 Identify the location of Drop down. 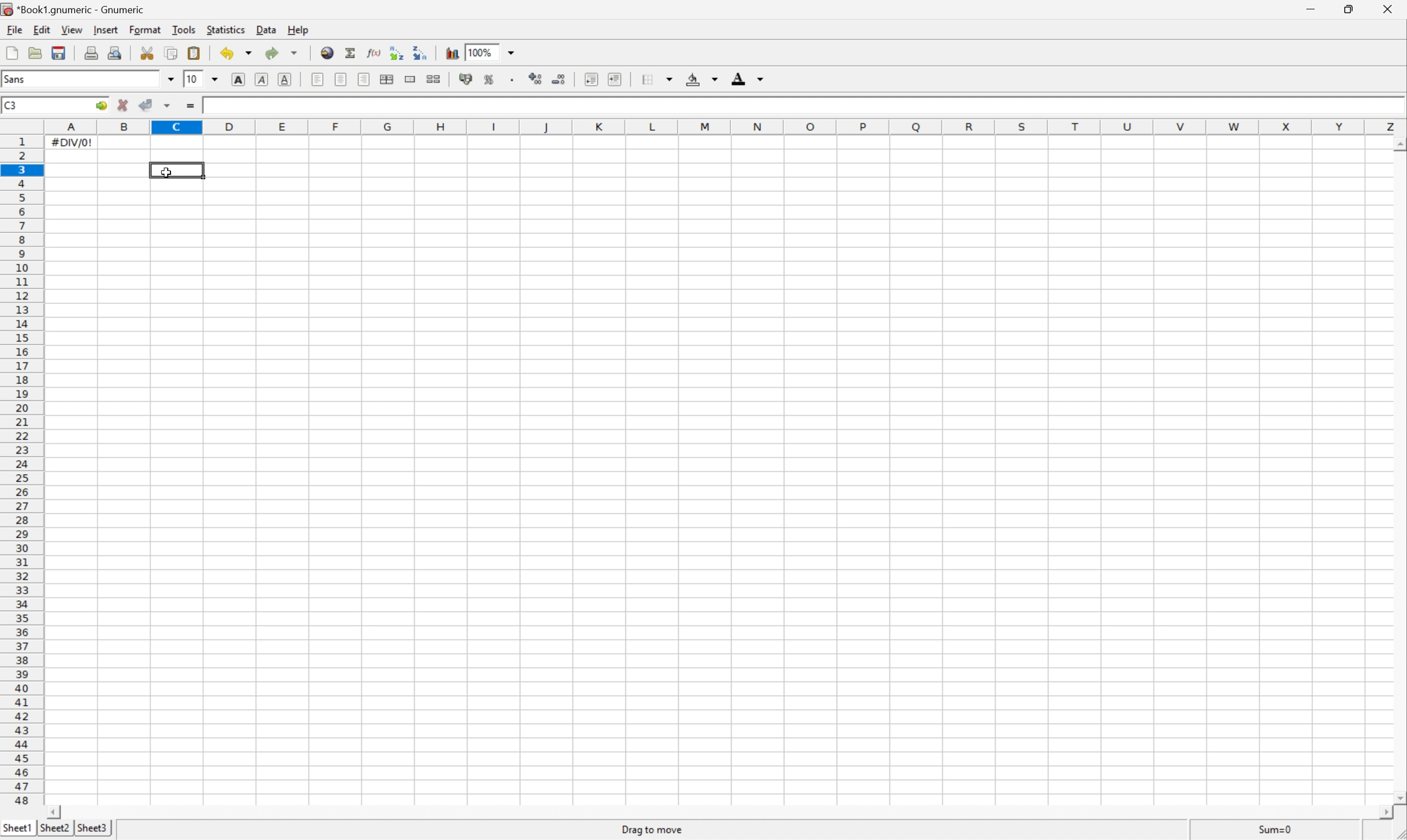
(765, 79).